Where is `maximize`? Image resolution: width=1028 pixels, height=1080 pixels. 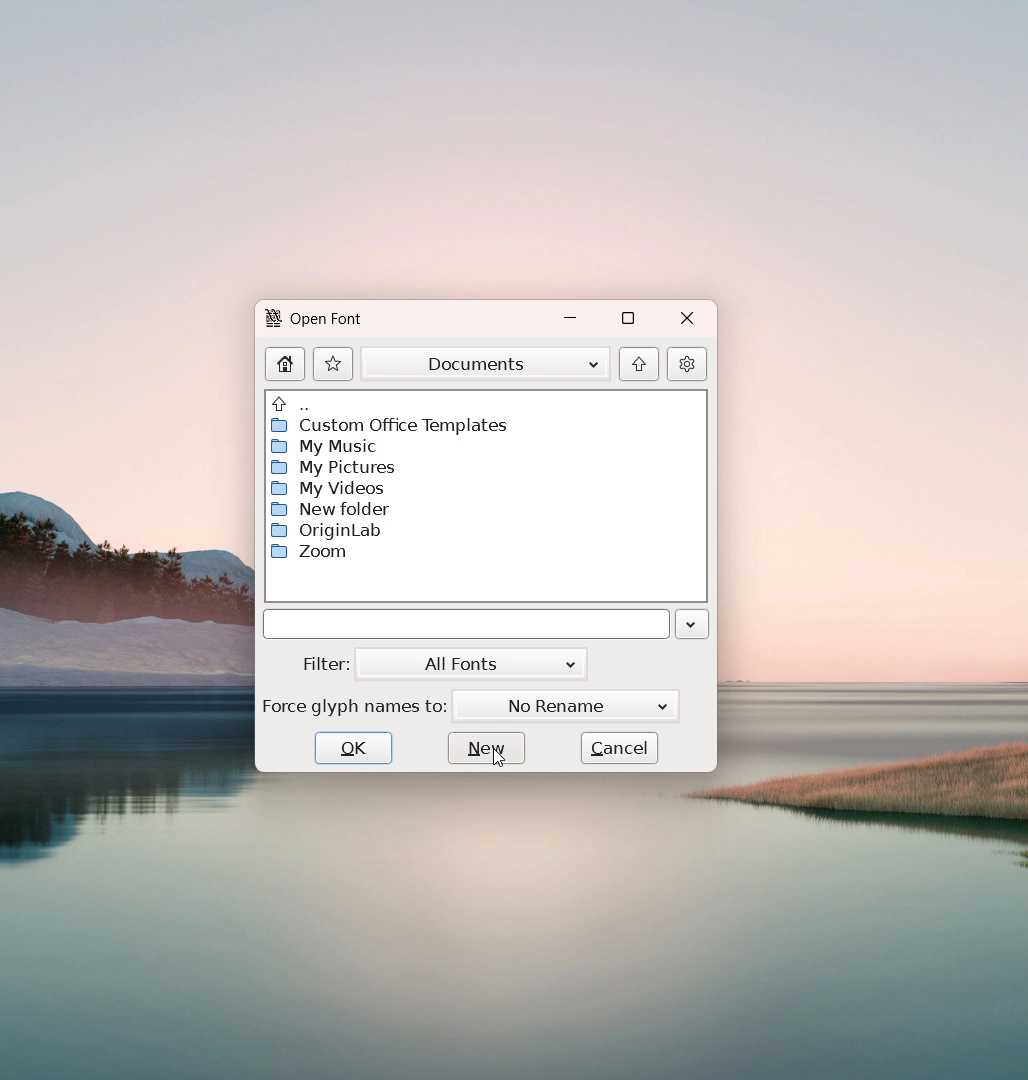 maximize is located at coordinates (628, 319).